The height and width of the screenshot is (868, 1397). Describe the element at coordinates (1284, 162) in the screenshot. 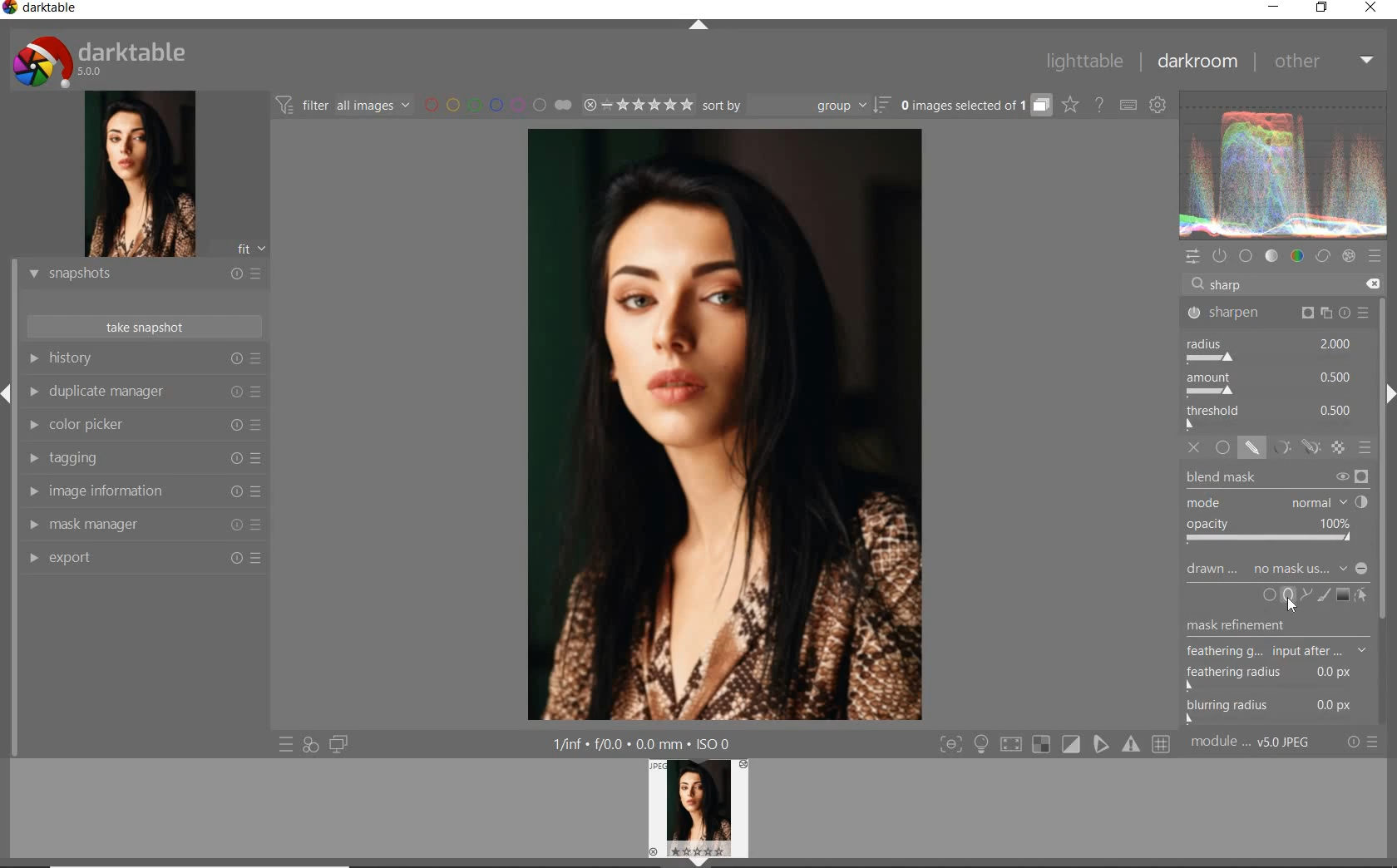

I see `Preview color` at that location.